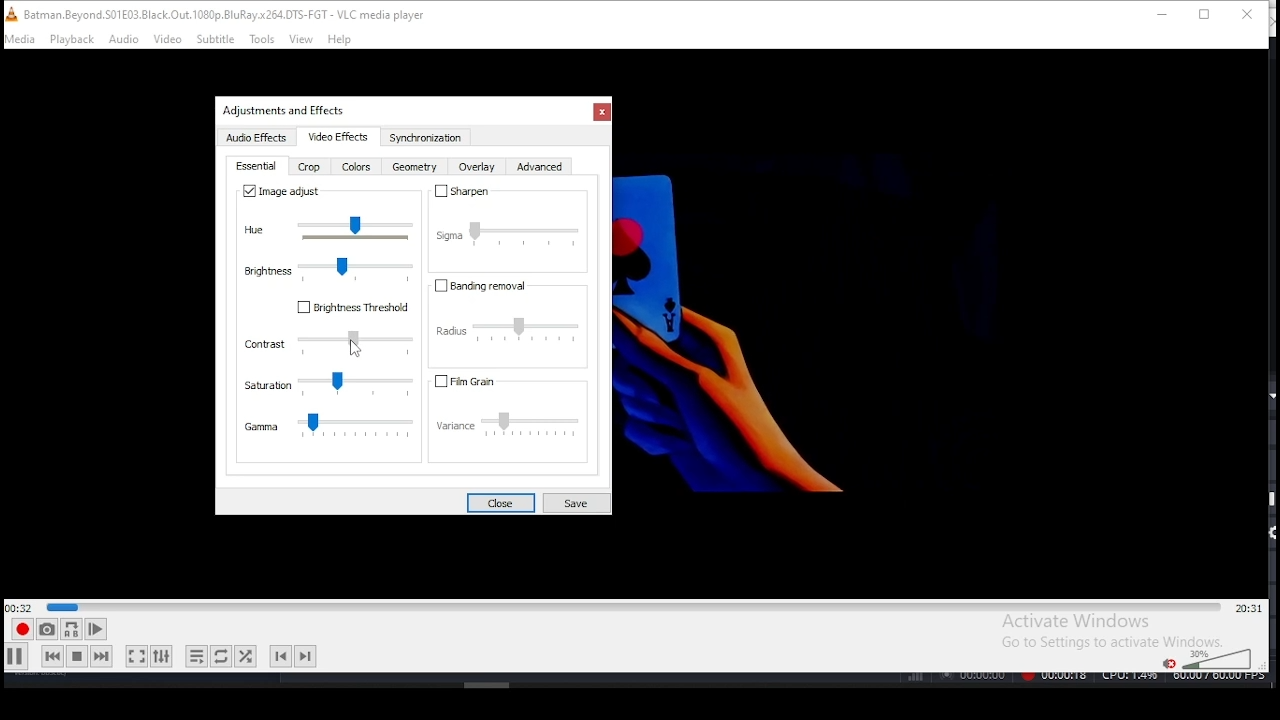  I want to click on gamma, so click(330, 428).